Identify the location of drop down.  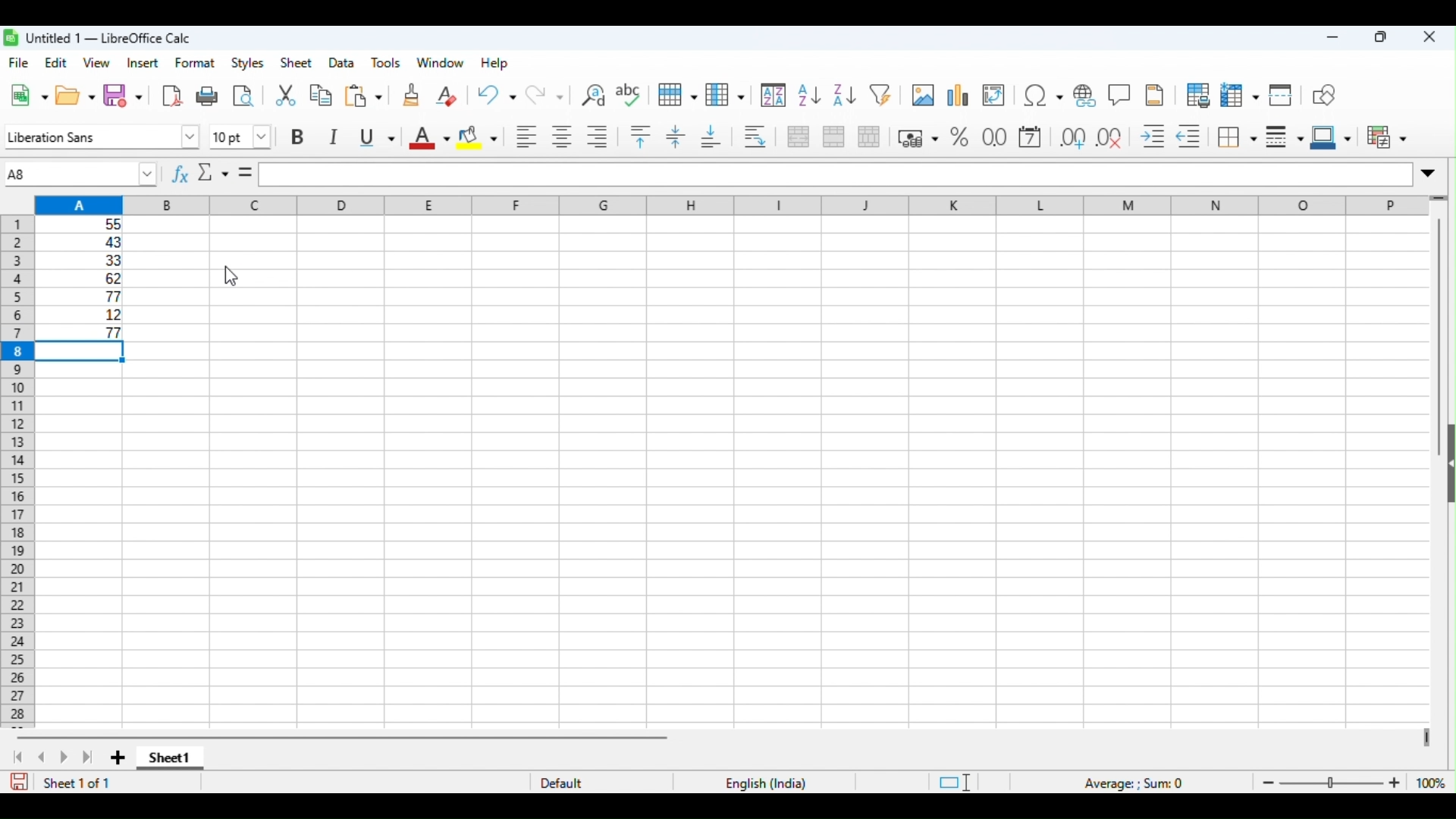
(148, 173).